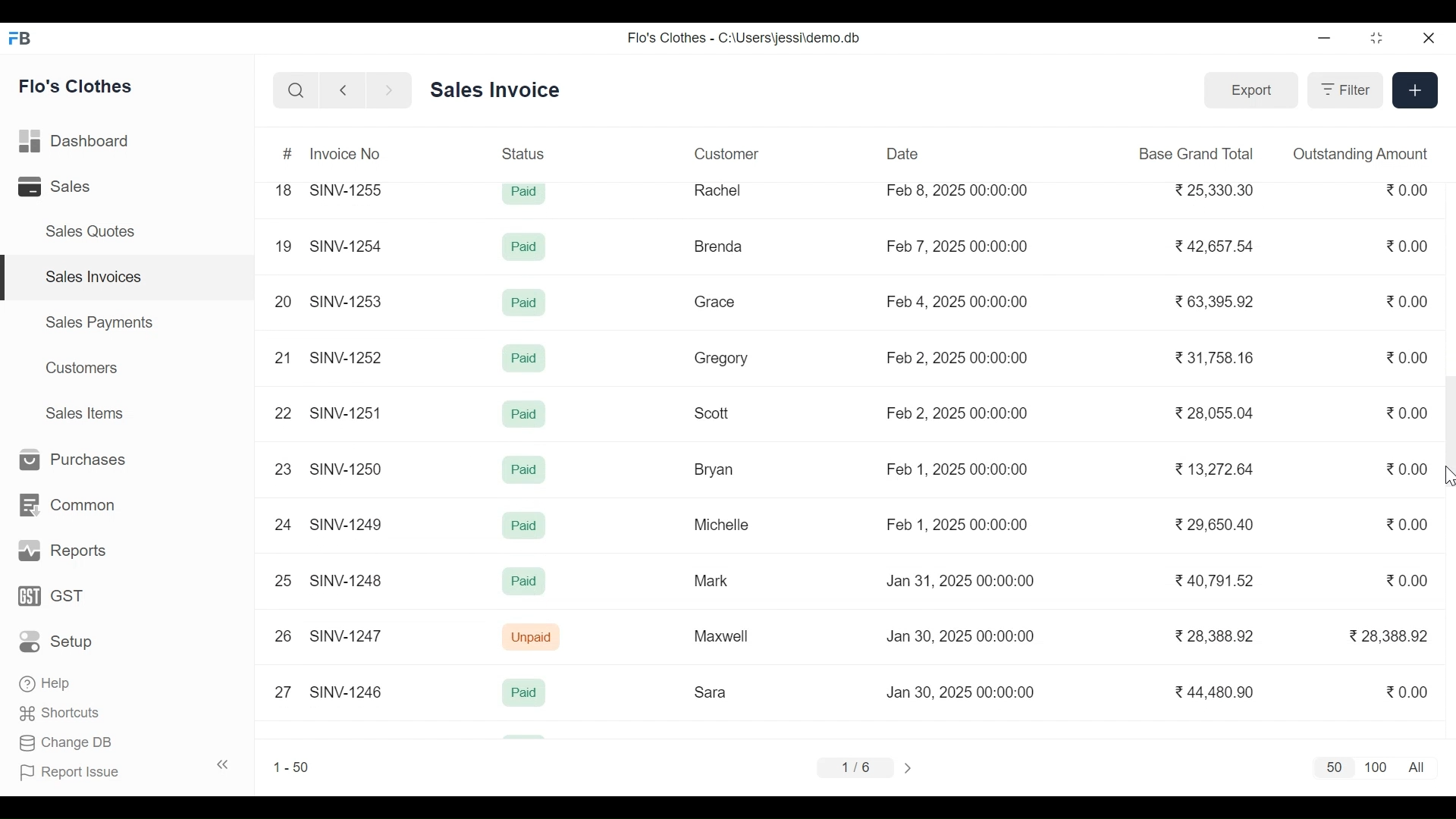 The width and height of the screenshot is (1456, 819). What do you see at coordinates (282, 357) in the screenshot?
I see `21` at bounding box center [282, 357].